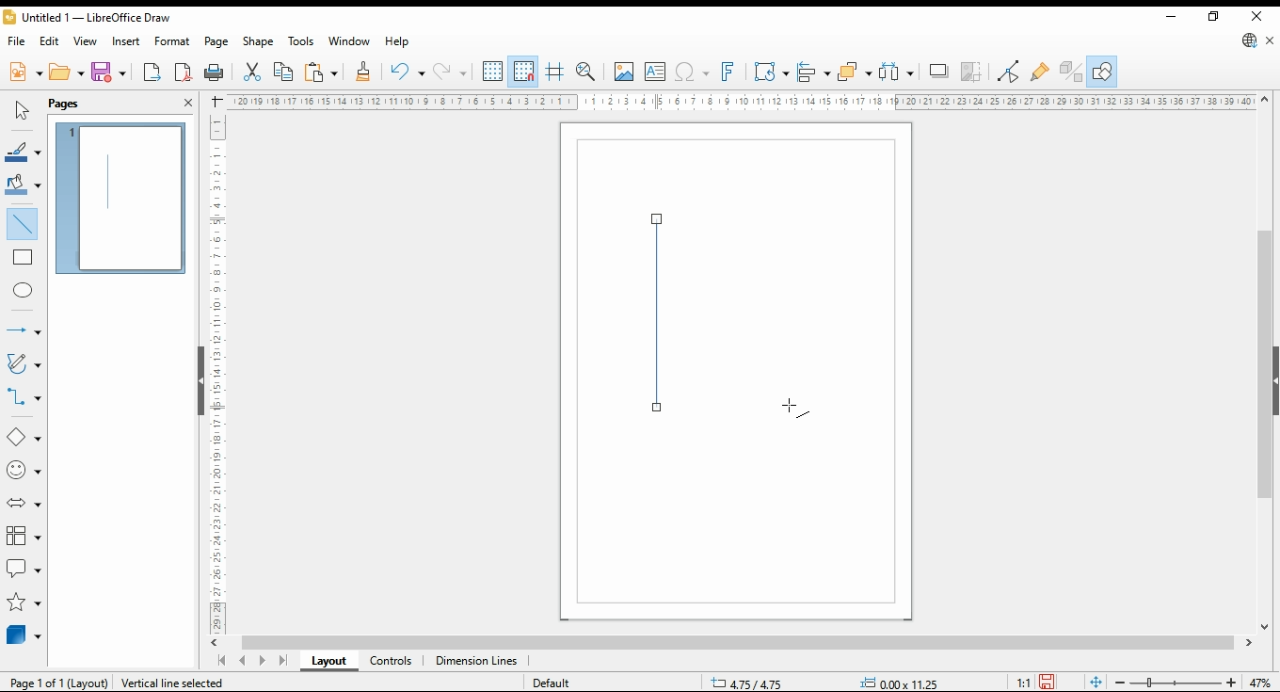  I want to click on undo, so click(406, 72).